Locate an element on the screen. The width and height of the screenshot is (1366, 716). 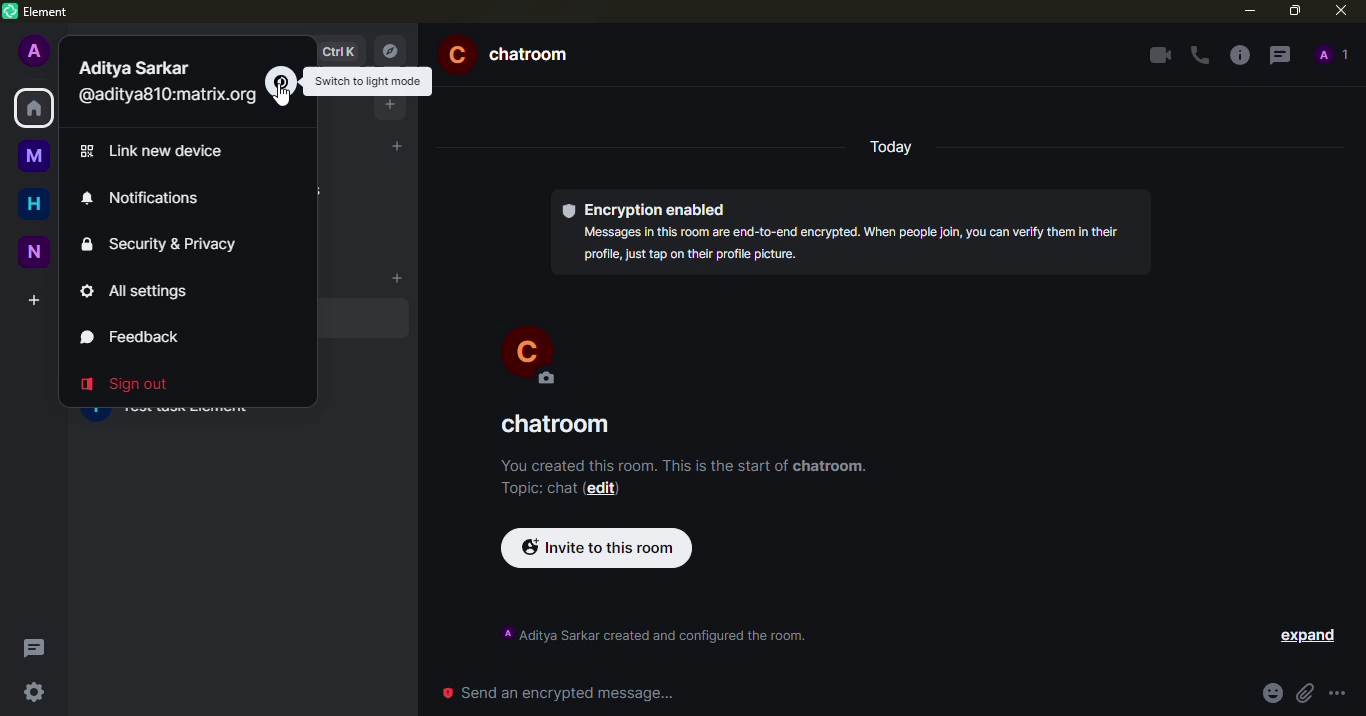
chatroom is located at coordinates (563, 424).